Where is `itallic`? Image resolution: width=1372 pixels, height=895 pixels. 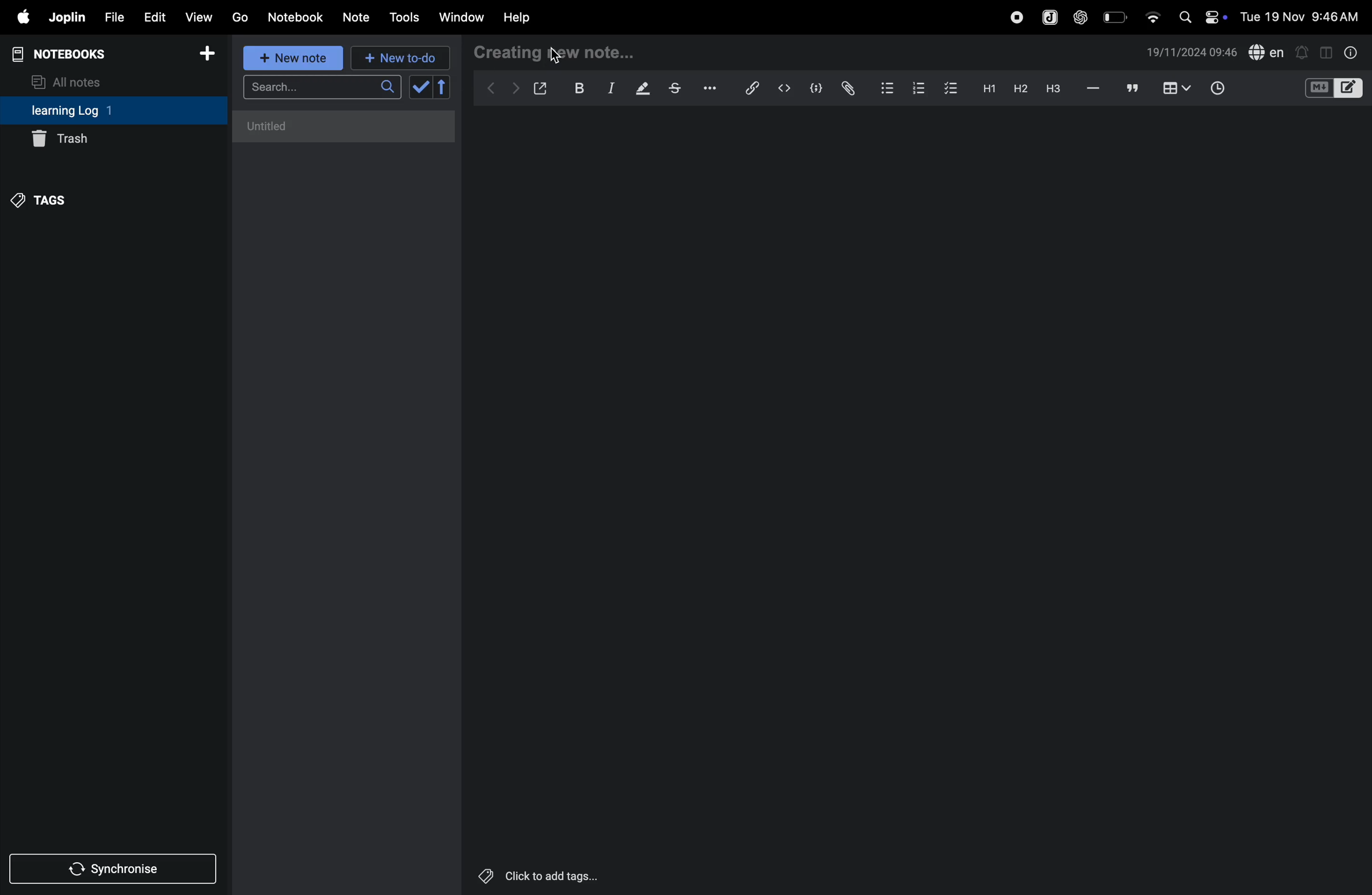
itallic is located at coordinates (609, 89).